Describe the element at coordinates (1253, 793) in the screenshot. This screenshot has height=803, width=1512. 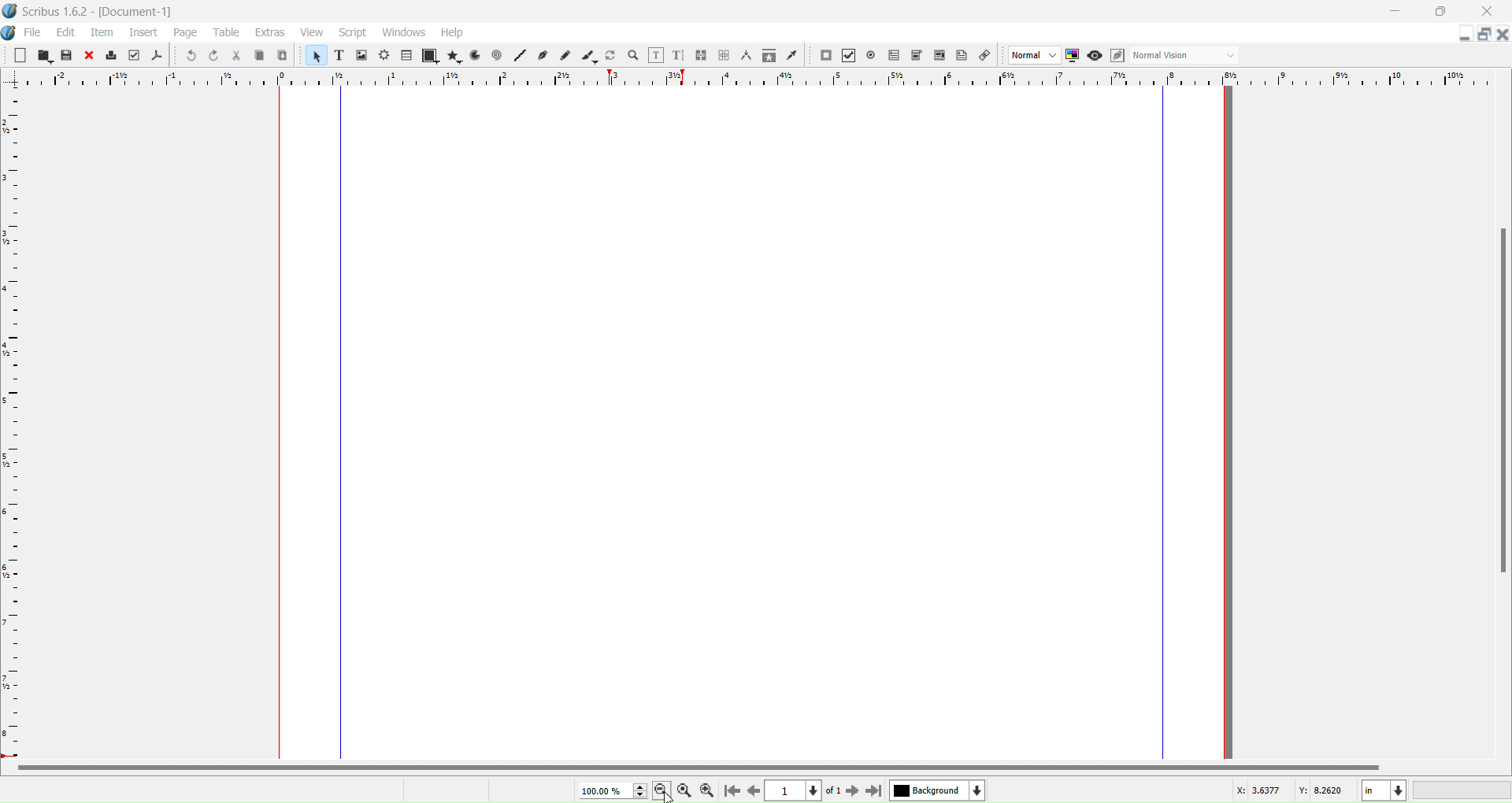
I see `Cursor coordinate - X` at that location.